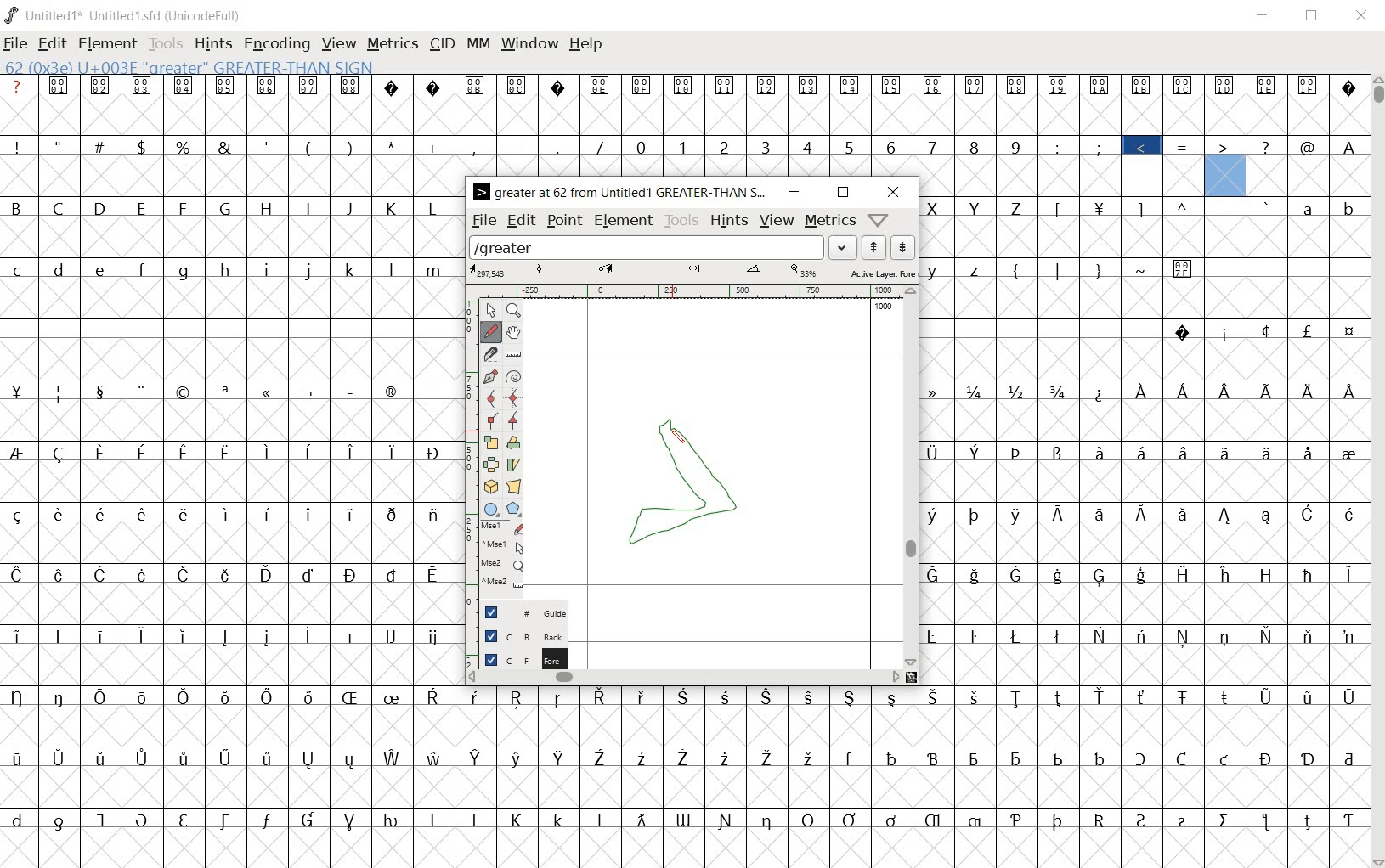 Image resolution: width=1385 pixels, height=868 pixels. What do you see at coordinates (340, 45) in the screenshot?
I see `view` at bounding box center [340, 45].